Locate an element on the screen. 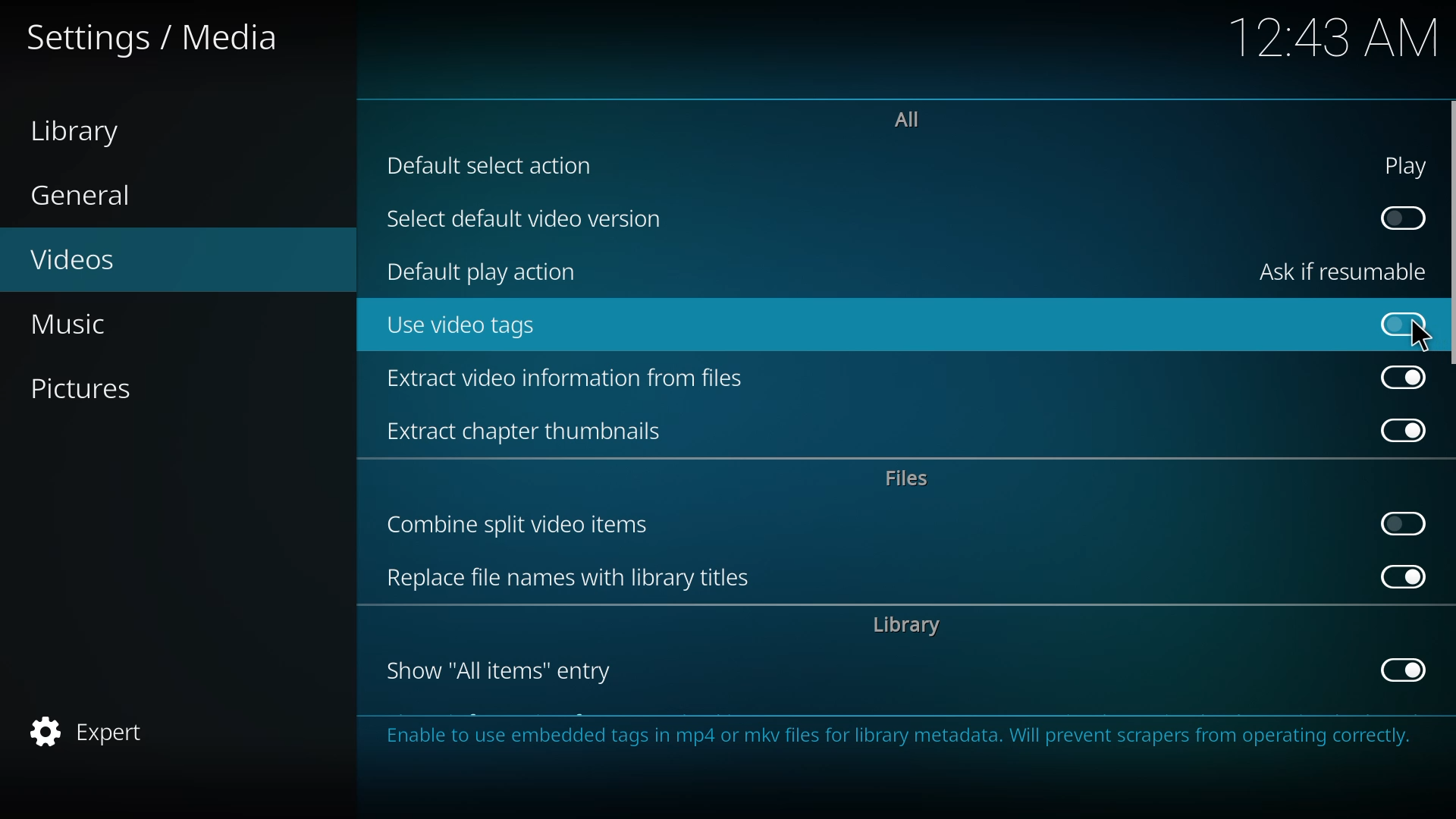 Image resolution: width=1456 pixels, height=819 pixels. library is located at coordinates (85, 129).